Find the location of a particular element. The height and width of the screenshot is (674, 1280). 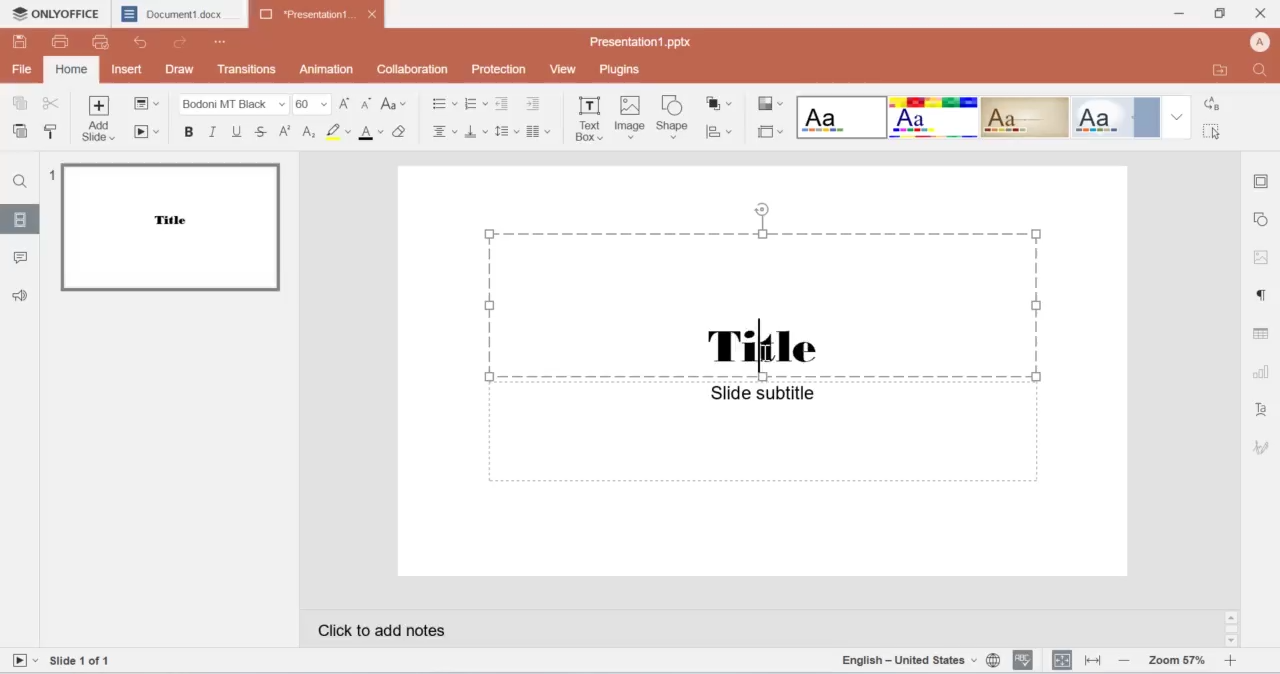

view is located at coordinates (566, 69).